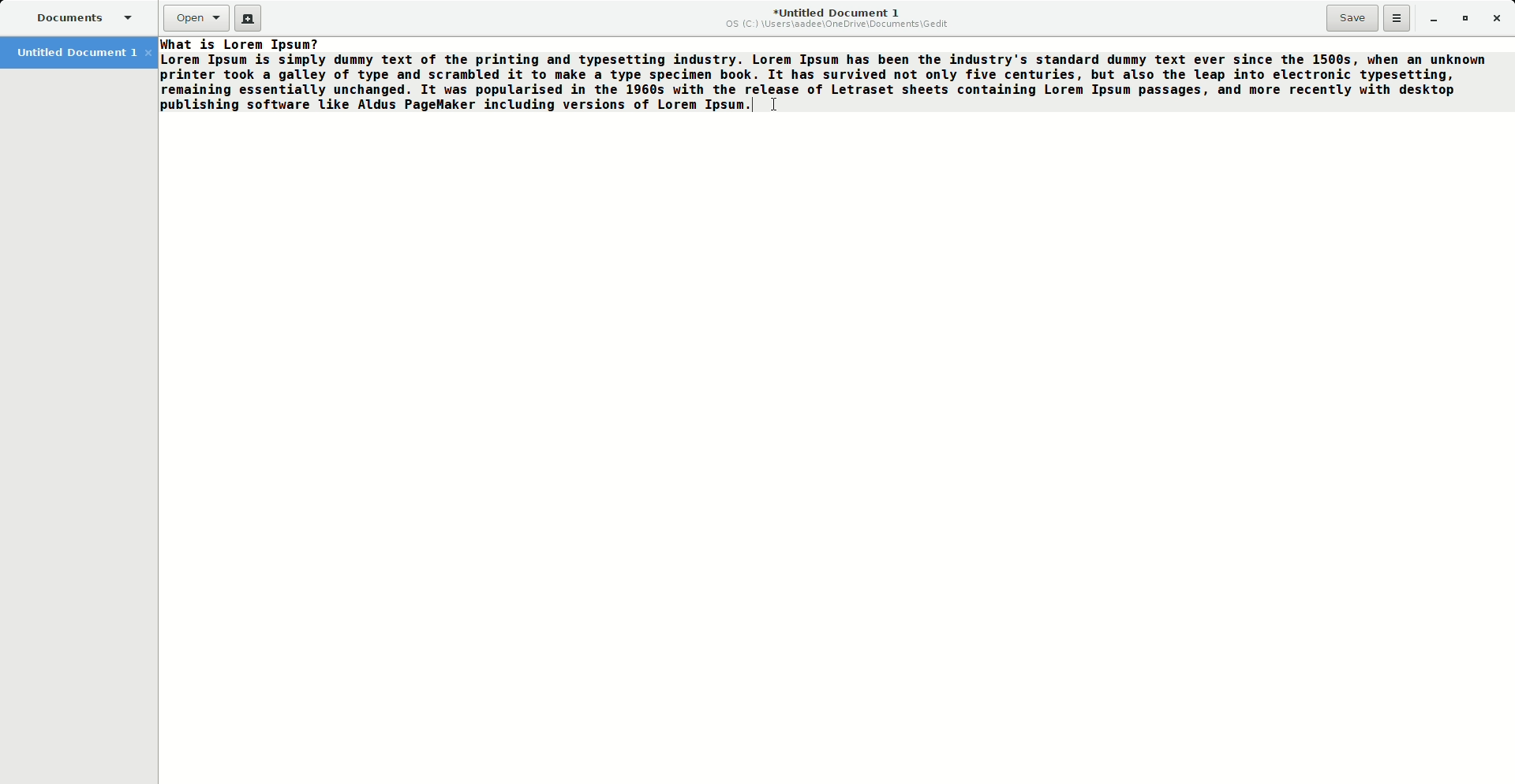 The height and width of the screenshot is (784, 1515). I want to click on Options, so click(1397, 17).